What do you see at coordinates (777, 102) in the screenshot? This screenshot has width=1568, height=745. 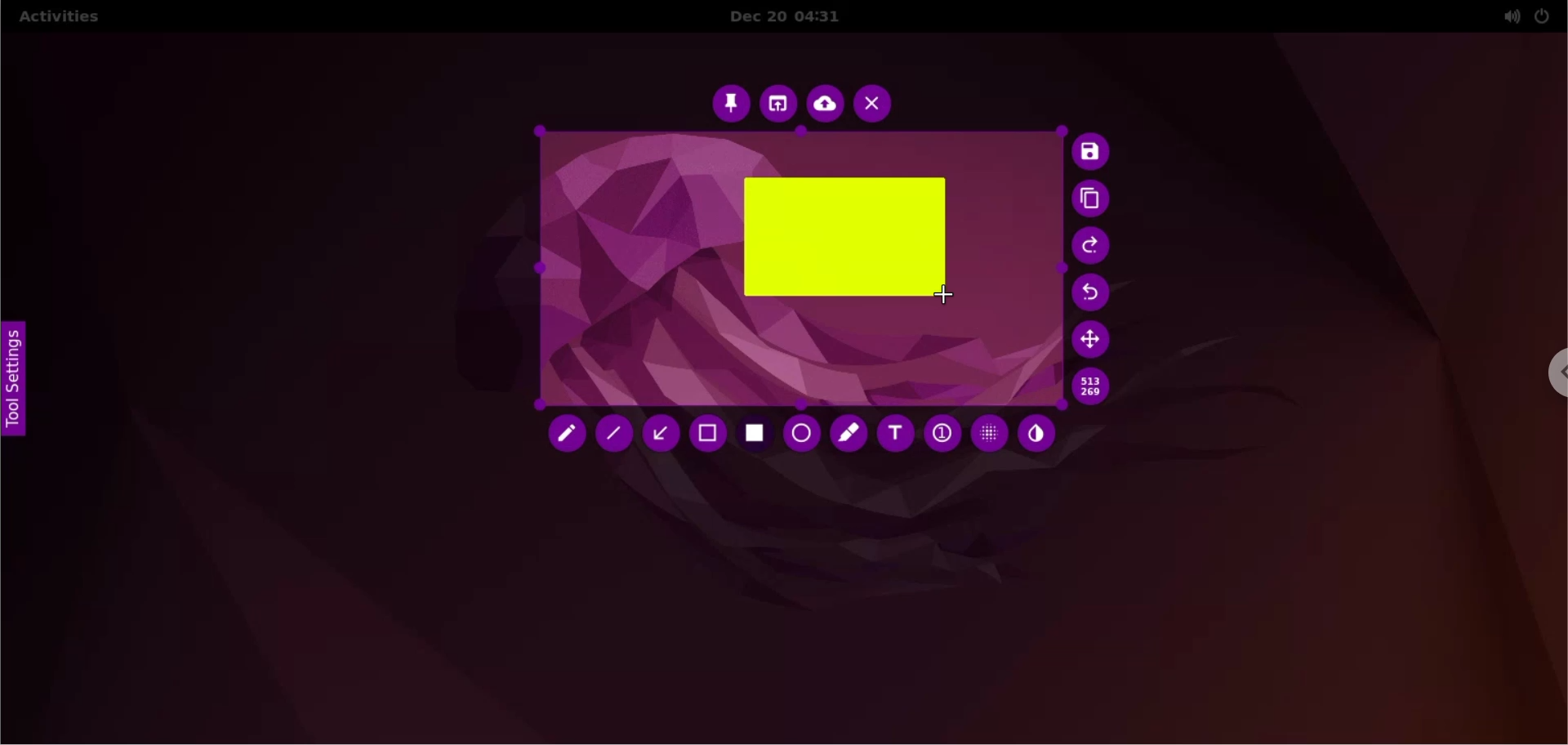 I see `choose app to open screenshot` at bounding box center [777, 102].